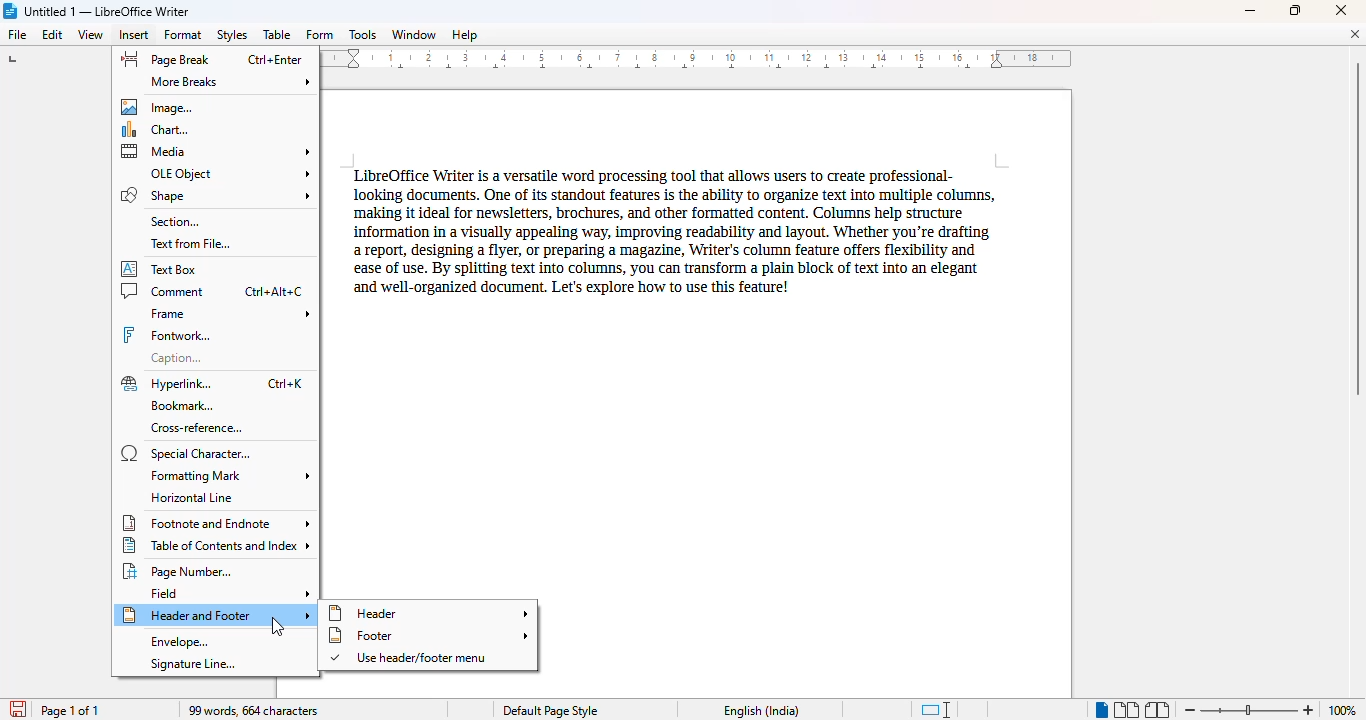  What do you see at coordinates (362, 35) in the screenshot?
I see `tools` at bounding box center [362, 35].